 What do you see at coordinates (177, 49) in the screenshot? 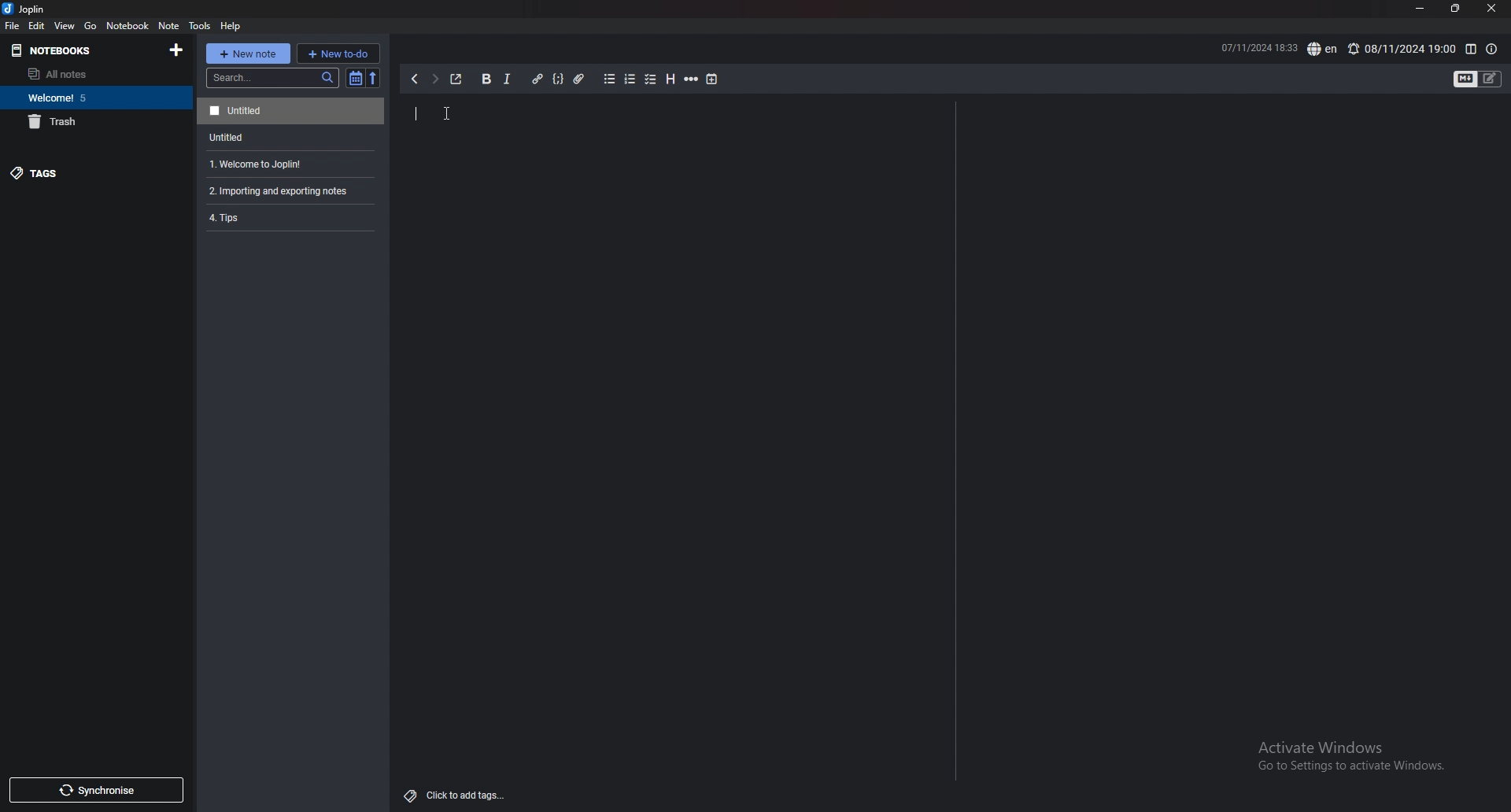
I see `add notebooks` at bounding box center [177, 49].